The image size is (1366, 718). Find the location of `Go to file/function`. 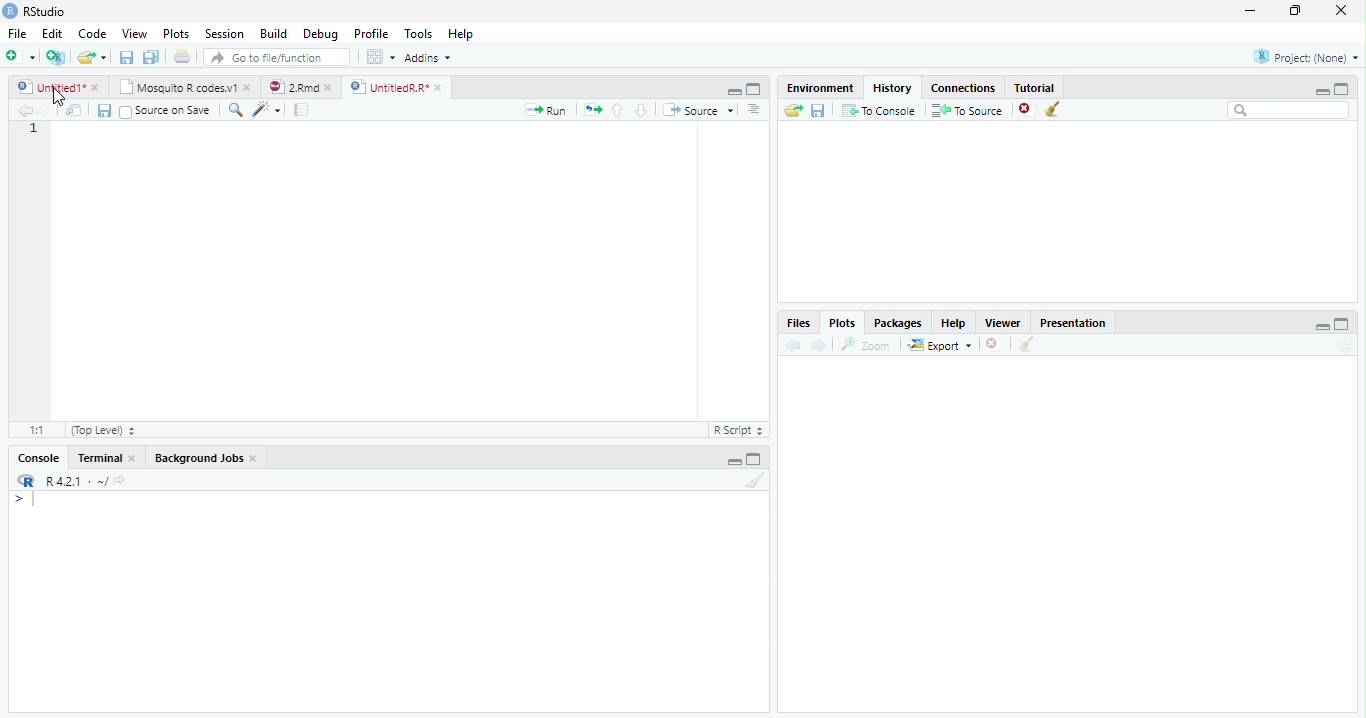

Go to file/function is located at coordinates (277, 58).